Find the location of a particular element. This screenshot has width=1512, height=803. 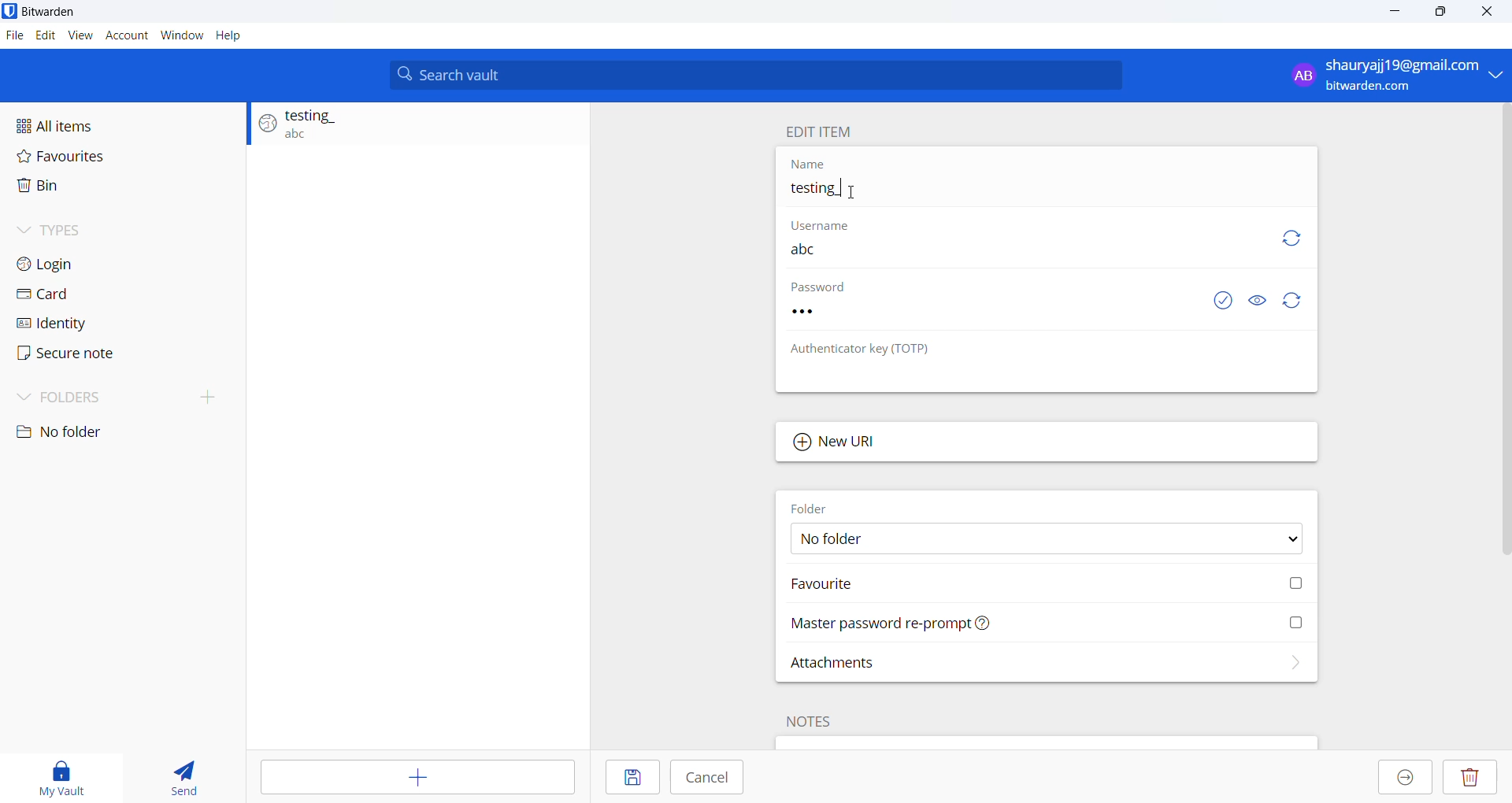

Edit name heading is located at coordinates (823, 132).